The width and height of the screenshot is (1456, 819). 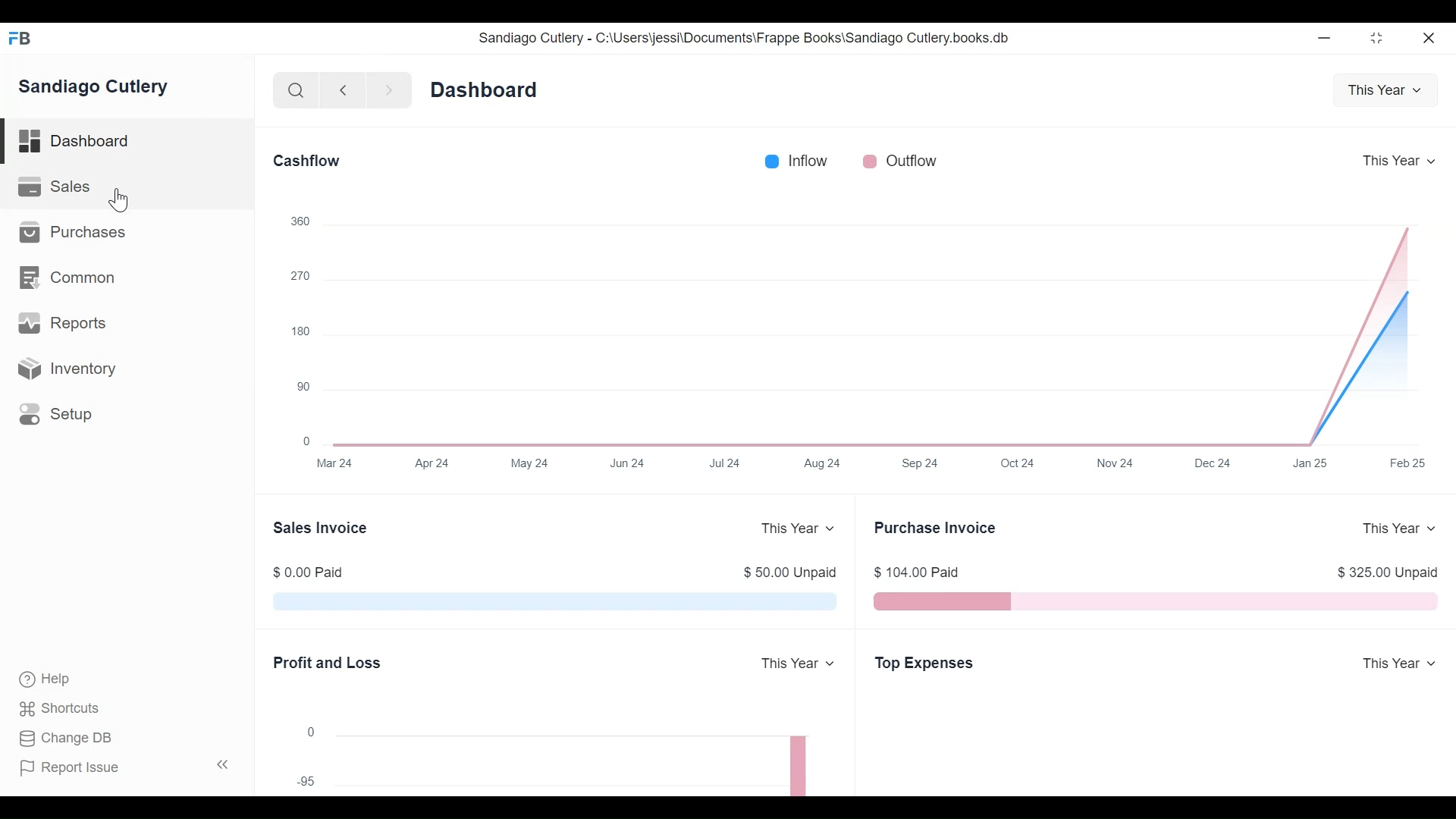 I want to click on Feb25, so click(x=1409, y=463).